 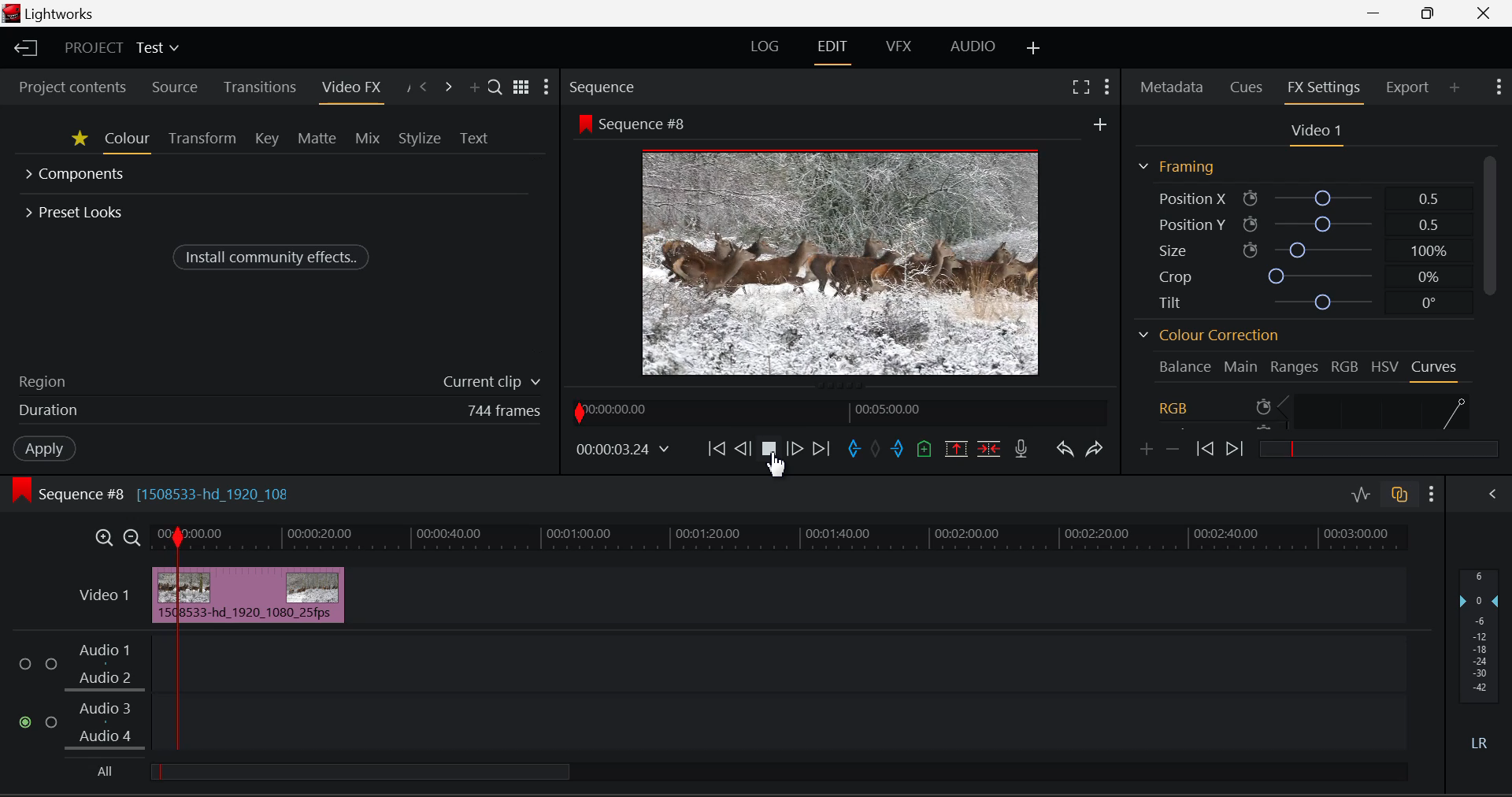 I want to click on Curves Tab Open, so click(x=1433, y=369).